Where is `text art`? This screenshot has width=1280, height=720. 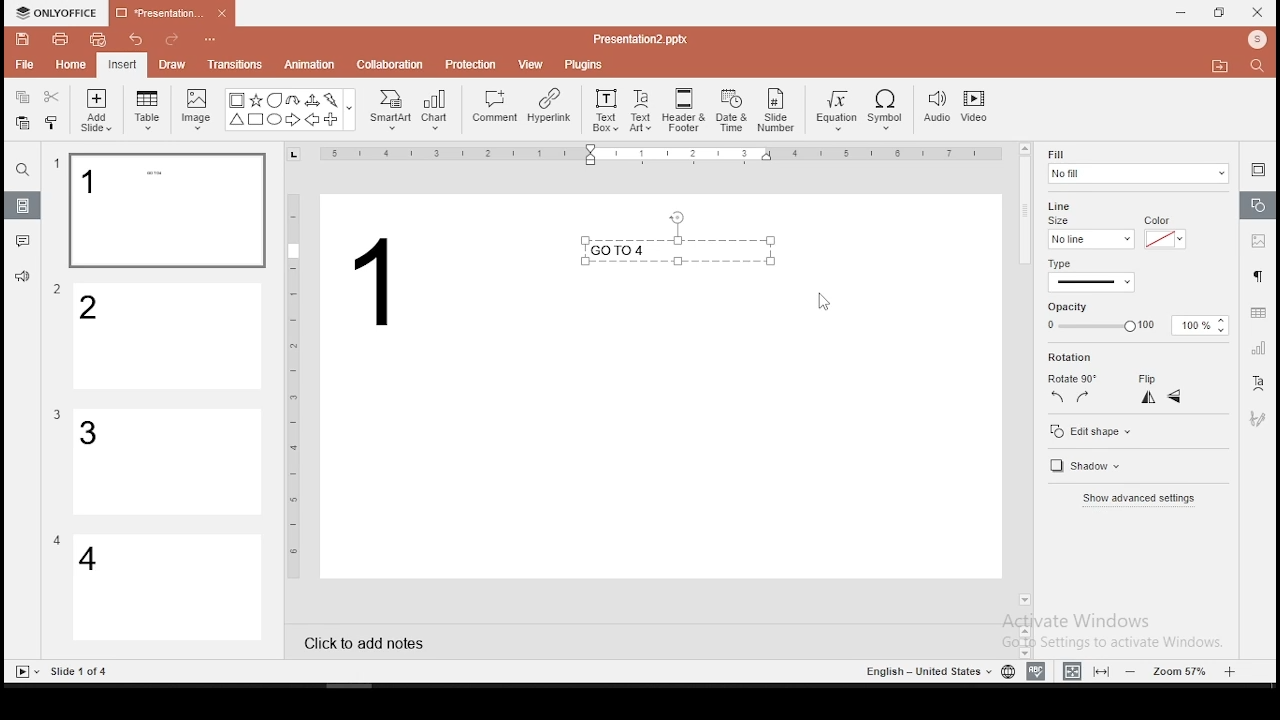 text art is located at coordinates (641, 109).